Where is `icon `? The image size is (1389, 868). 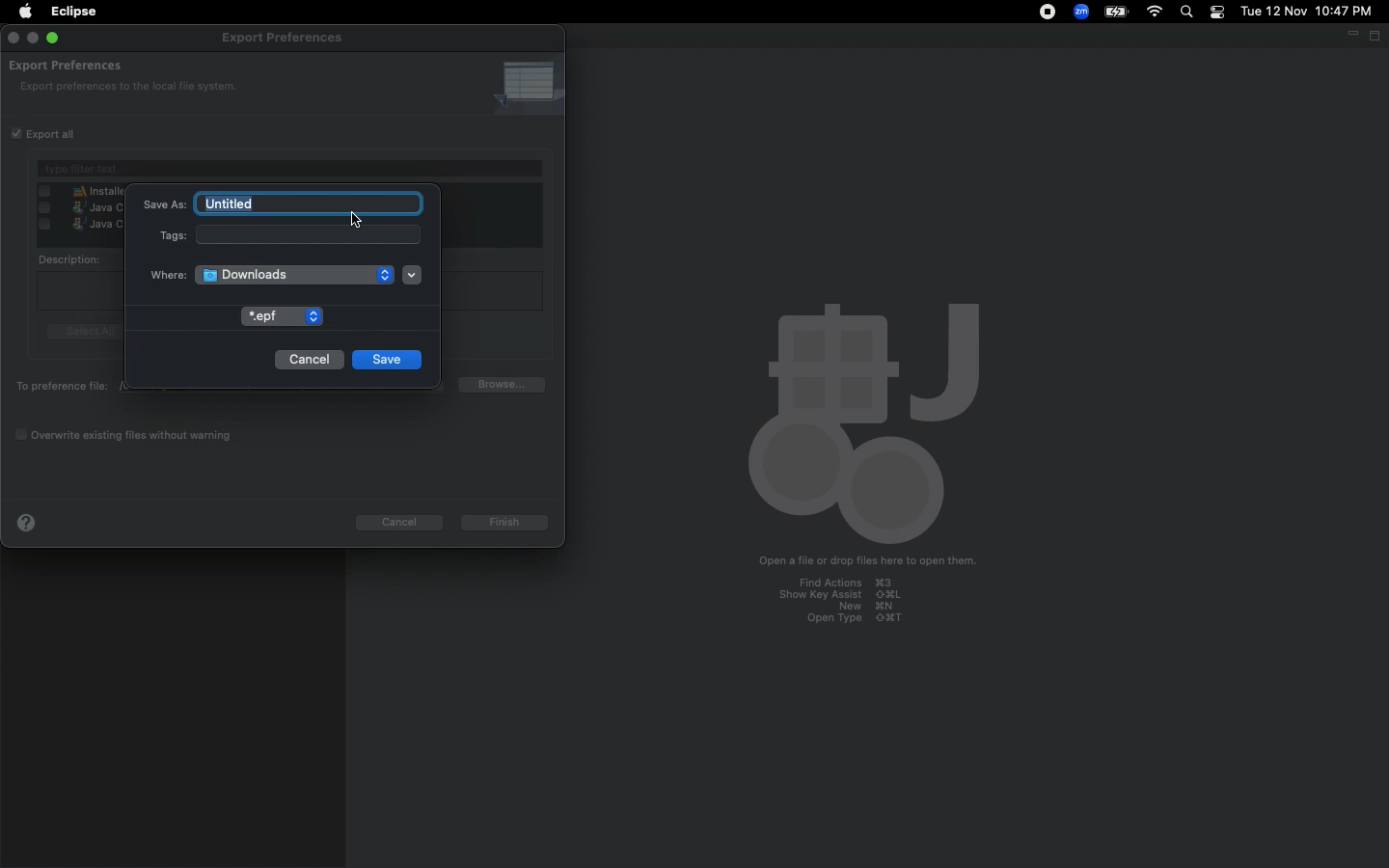
icon  is located at coordinates (528, 84).